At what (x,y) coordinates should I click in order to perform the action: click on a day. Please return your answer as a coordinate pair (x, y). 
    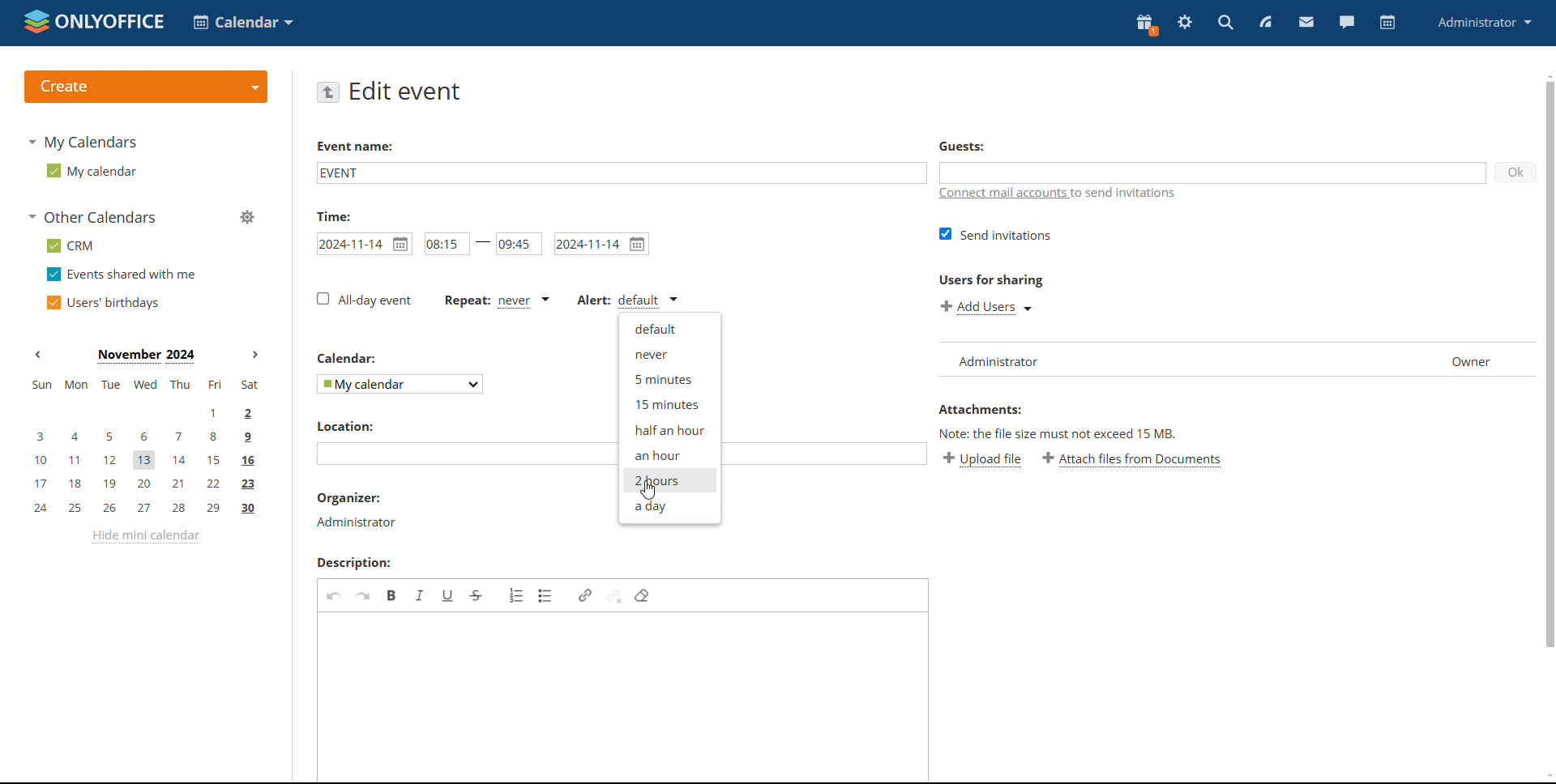
    Looking at the image, I should click on (669, 509).